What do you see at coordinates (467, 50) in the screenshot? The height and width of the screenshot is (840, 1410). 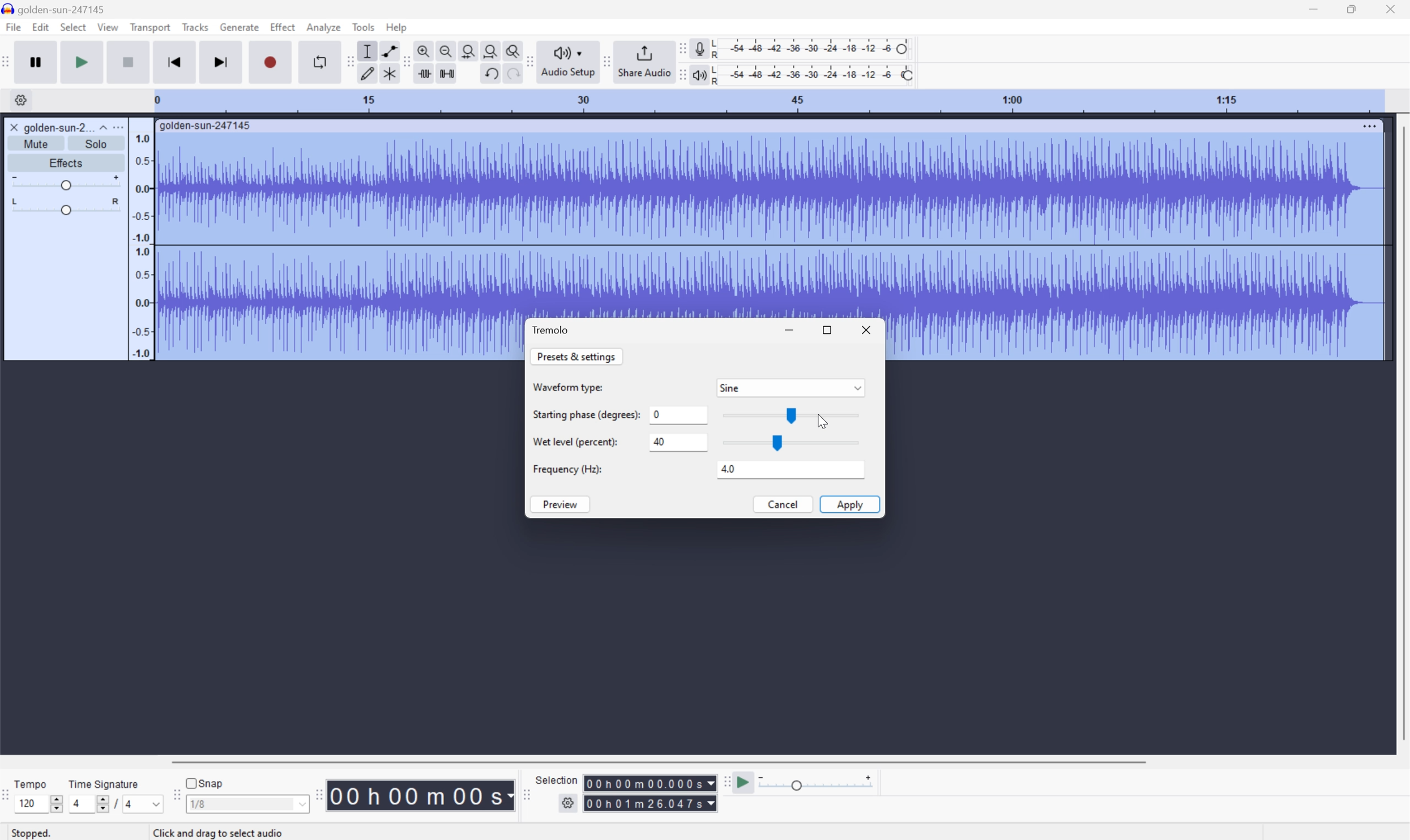 I see `Fit selection to width` at bounding box center [467, 50].